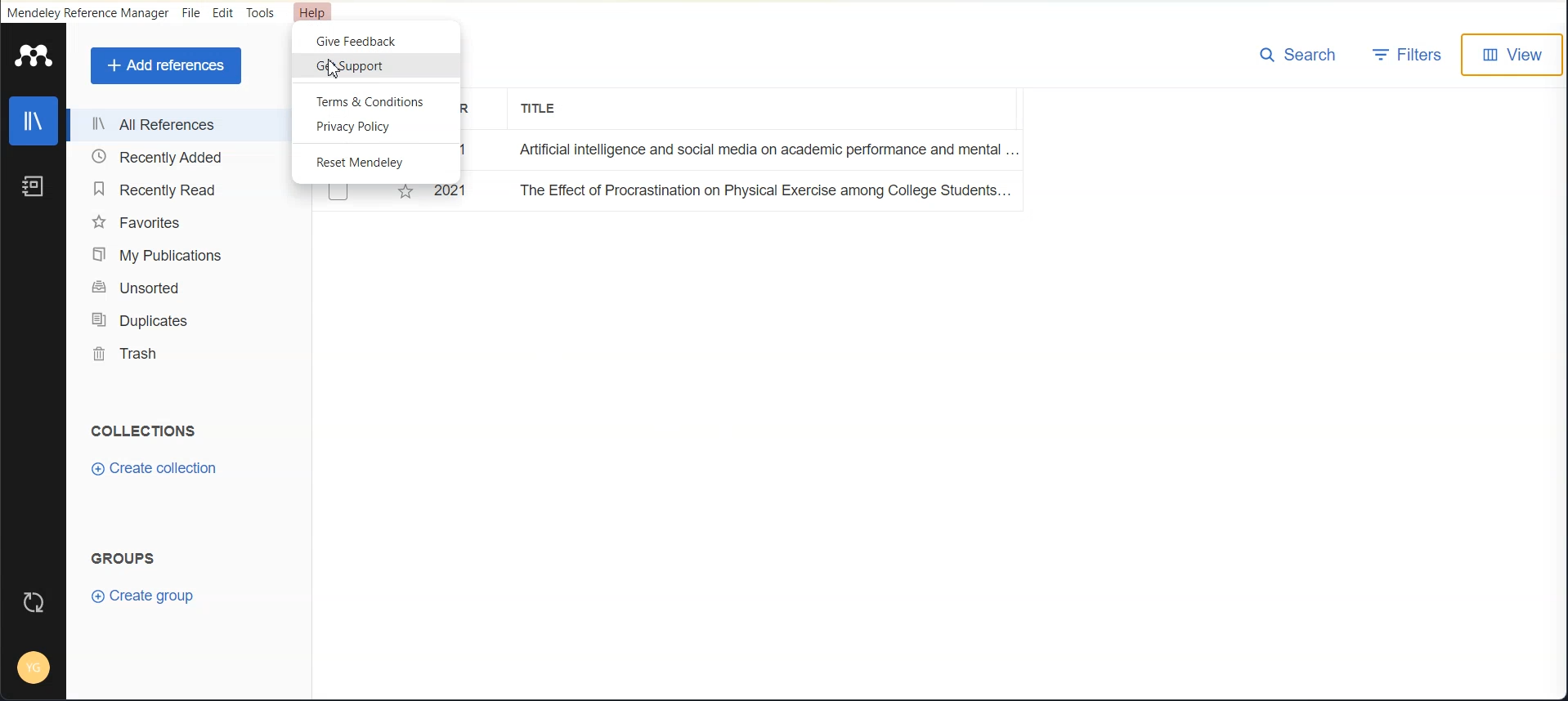 Image resolution: width=1568 pixels, height=701 pixels. I want to click on View, so click(1516, 56).